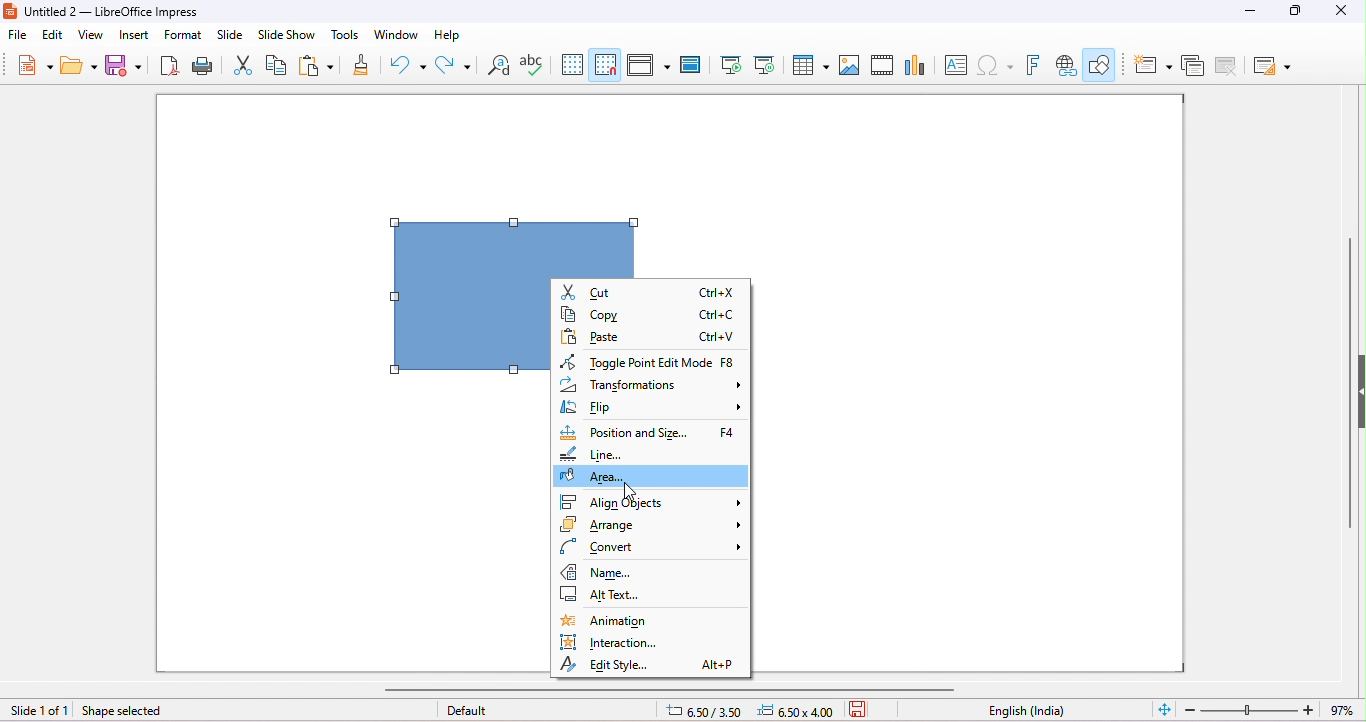  What do you see at coordinates (450, 35) in the screenshot?
I see `help` at bounding box center [450, 35].